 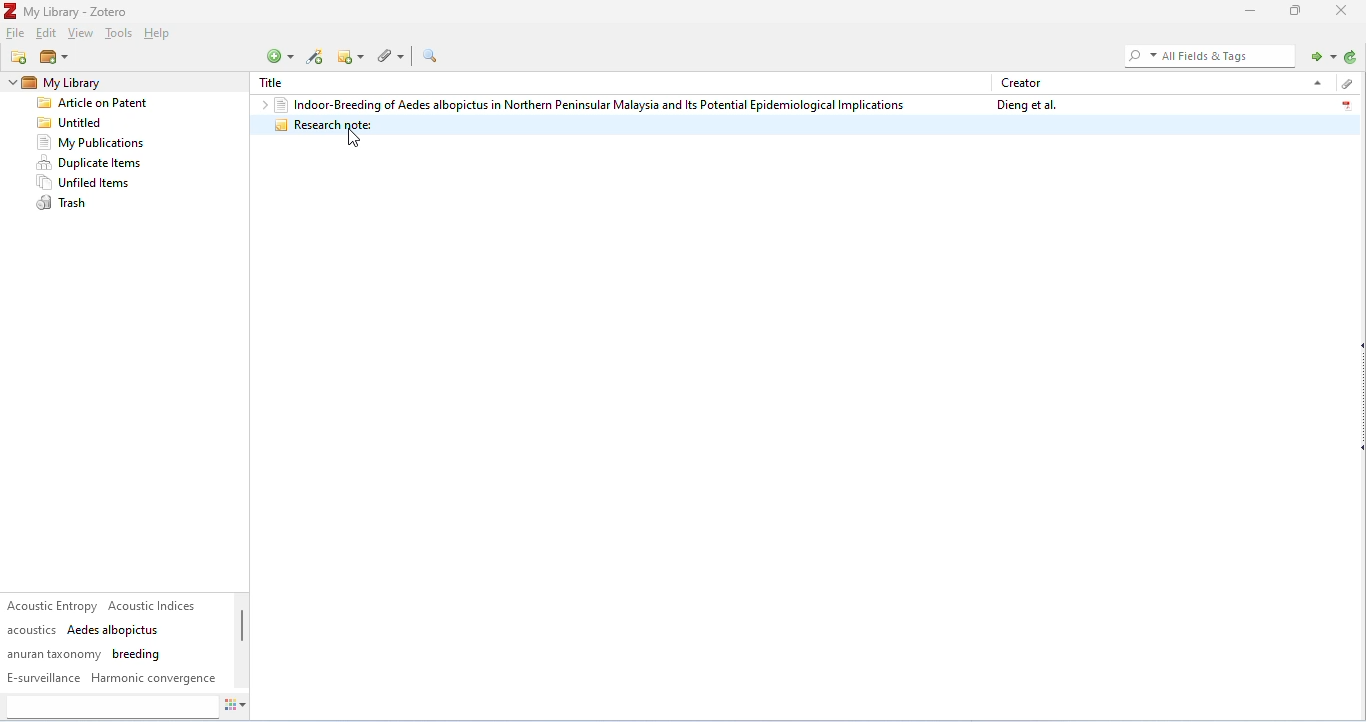 What do you see at coordinates (1351, 57) in the screenshot?
I see `sync with zotero.org` at bounding box center [1351, 57].